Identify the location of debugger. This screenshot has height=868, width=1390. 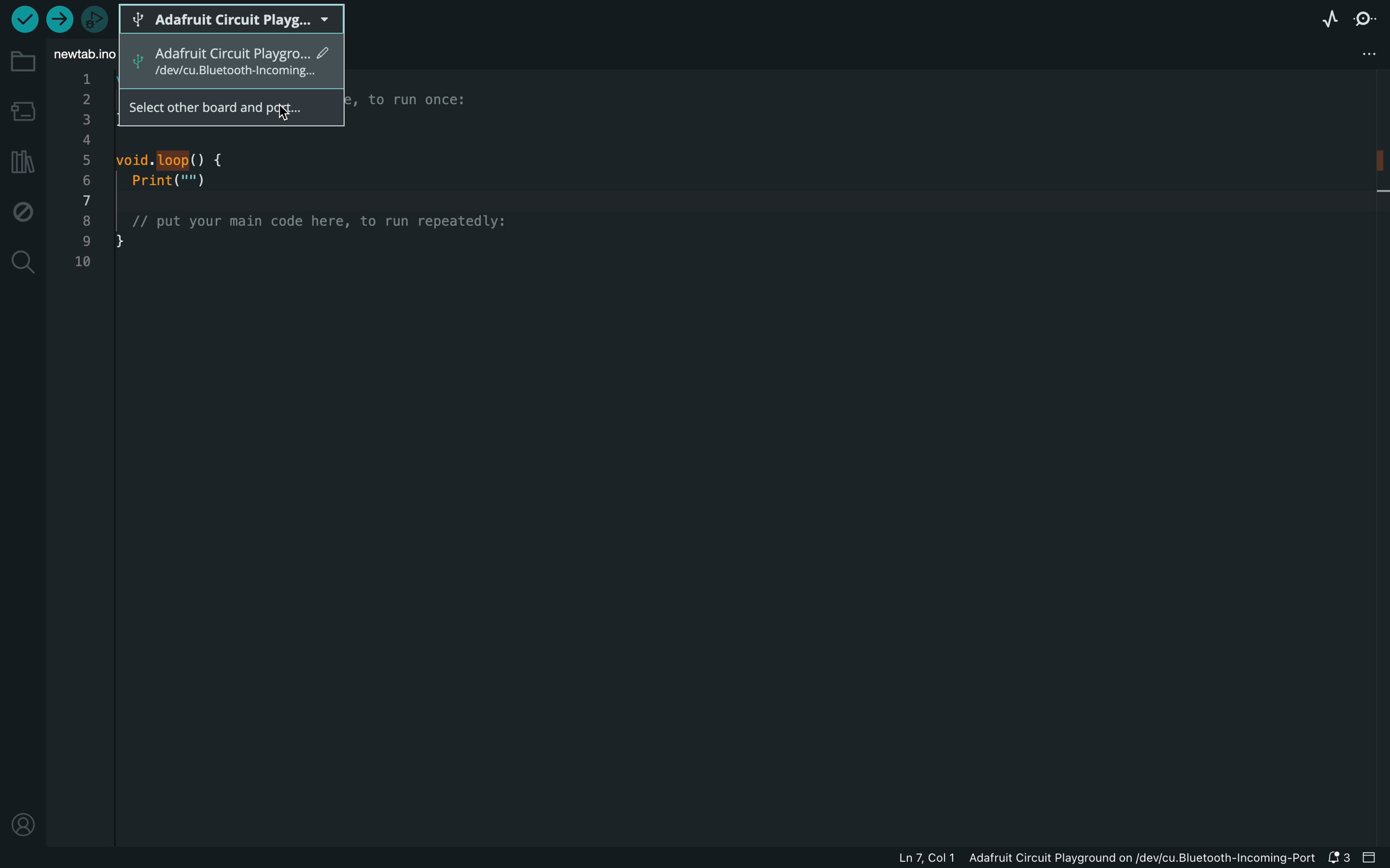
(93, 18).